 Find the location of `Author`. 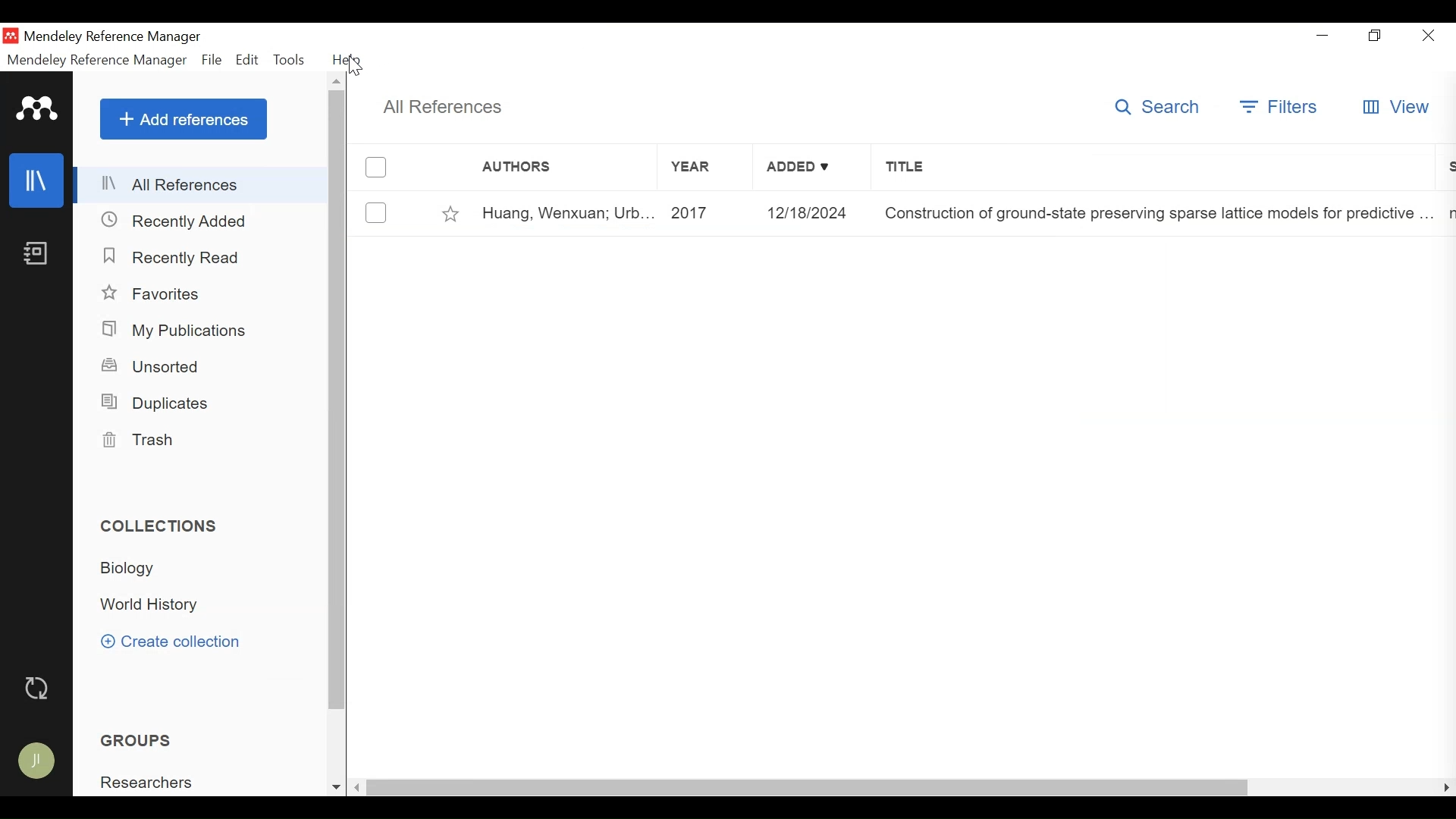

Author is located at coordinates (547, 170).